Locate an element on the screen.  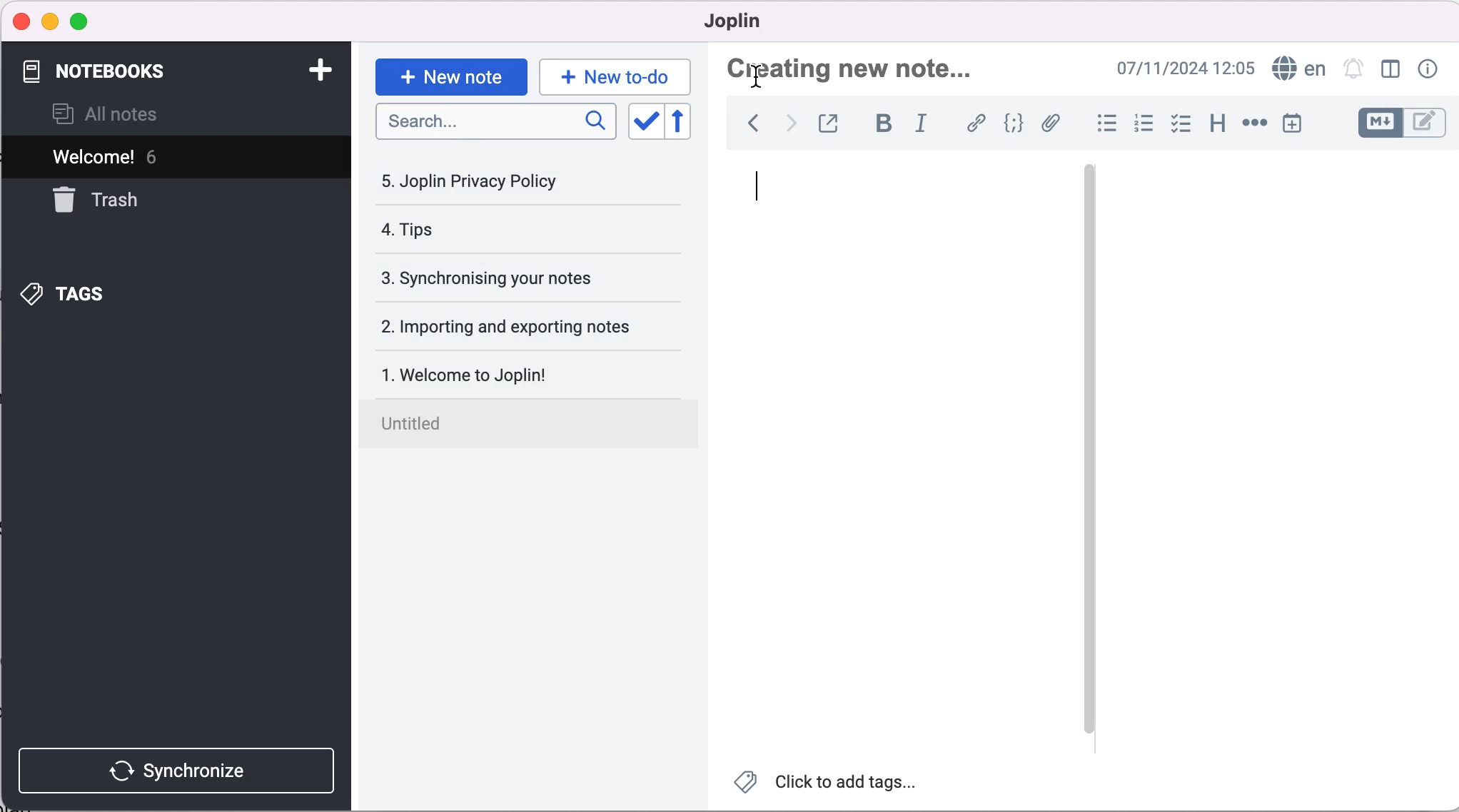
importing and exporting notes is located at coordinates (515, 326).